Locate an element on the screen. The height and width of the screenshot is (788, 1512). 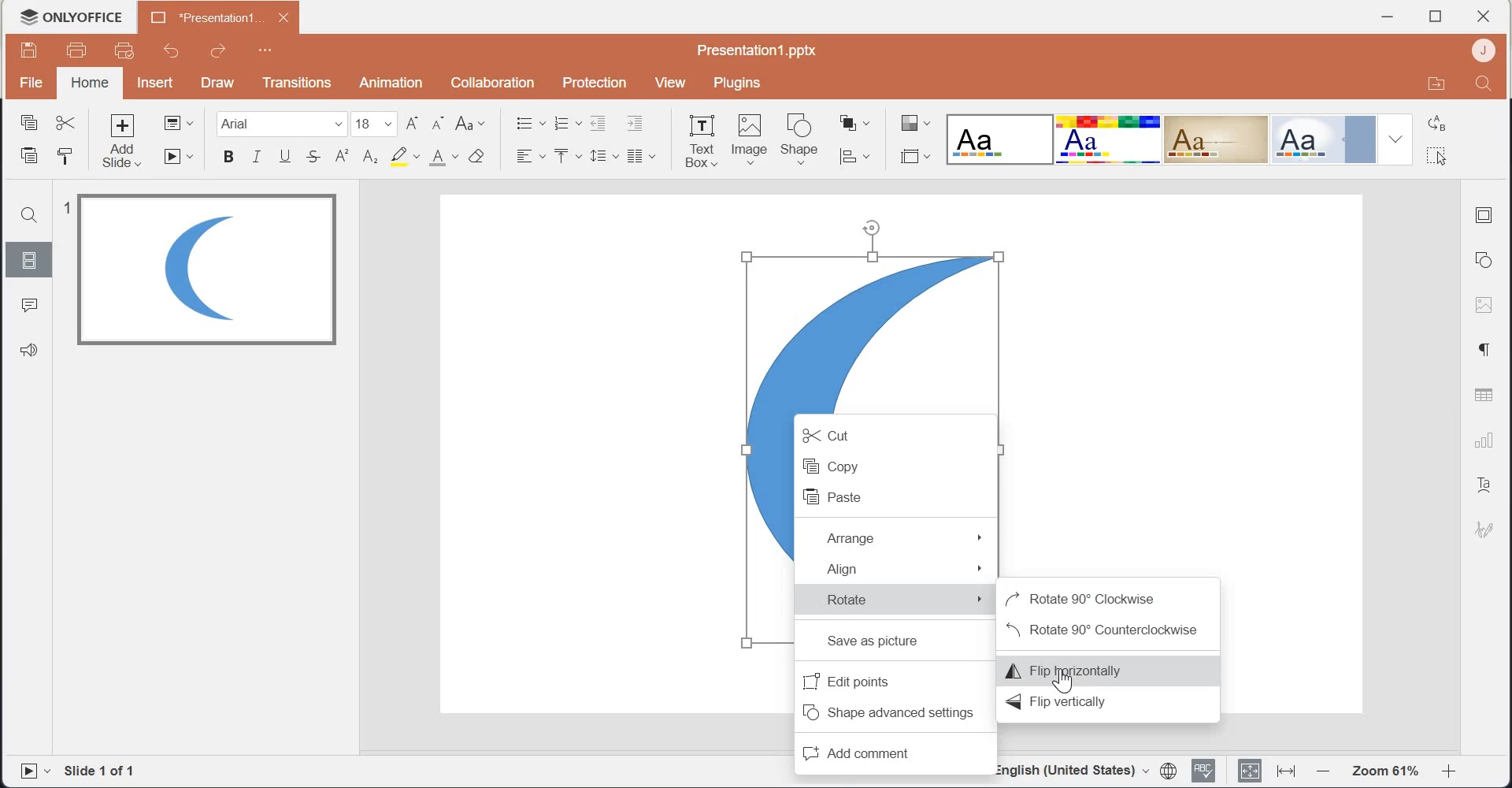
Copy is located at coordinates (891, 465).